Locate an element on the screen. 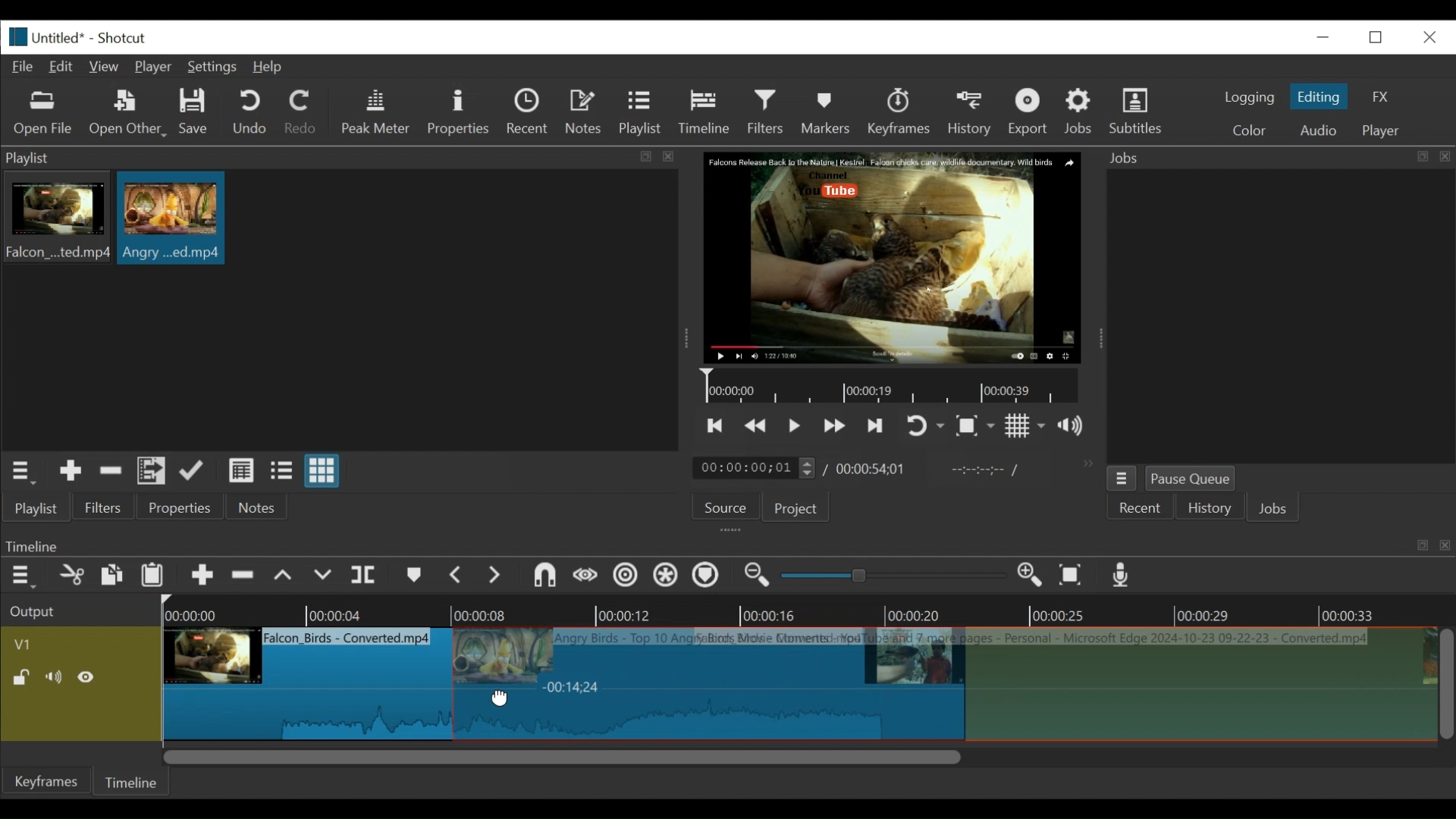 The image size is (1456, 819). media viewer is located at coordinates (890, 257).